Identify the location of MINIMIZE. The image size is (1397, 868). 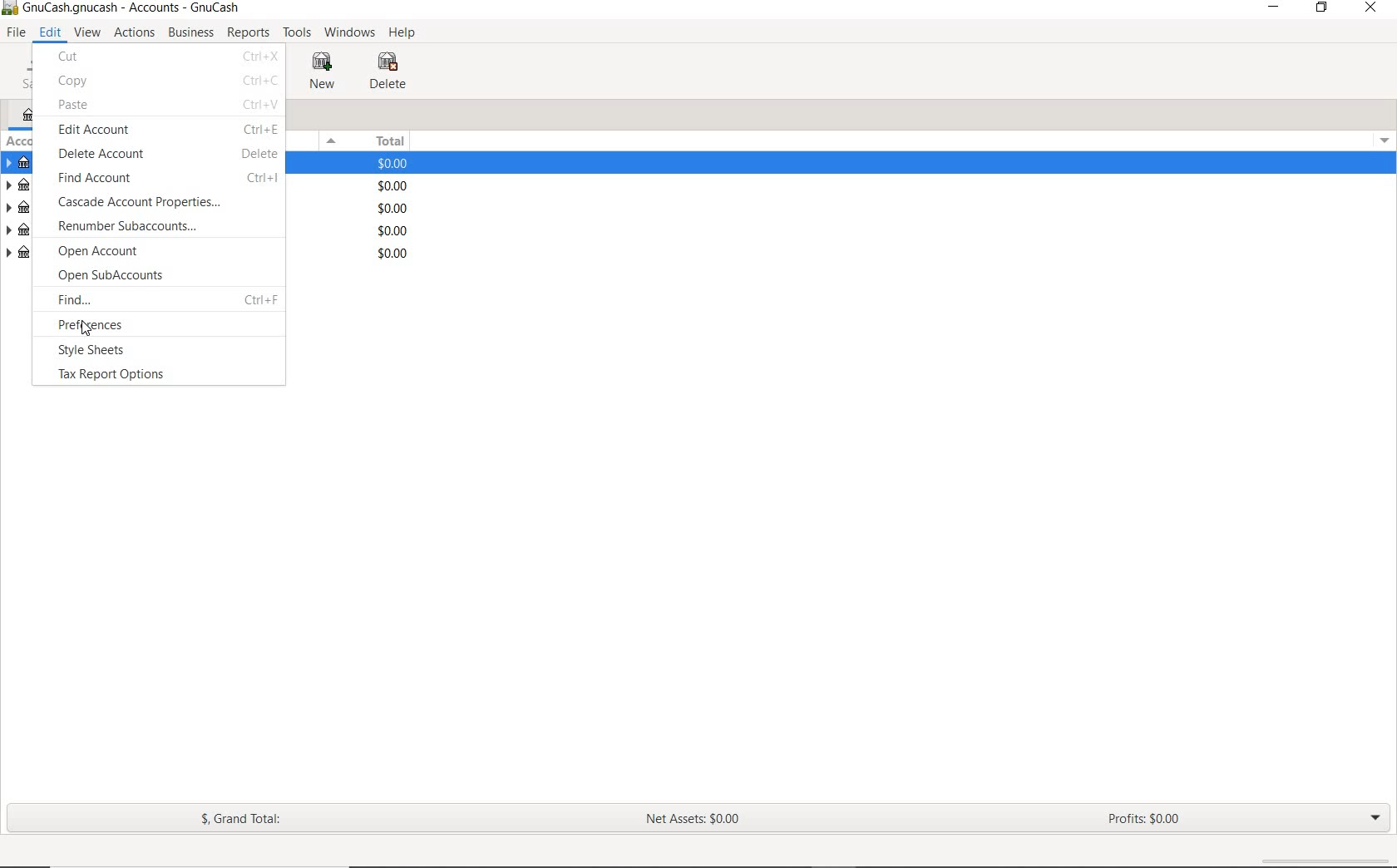
(1276, 9).